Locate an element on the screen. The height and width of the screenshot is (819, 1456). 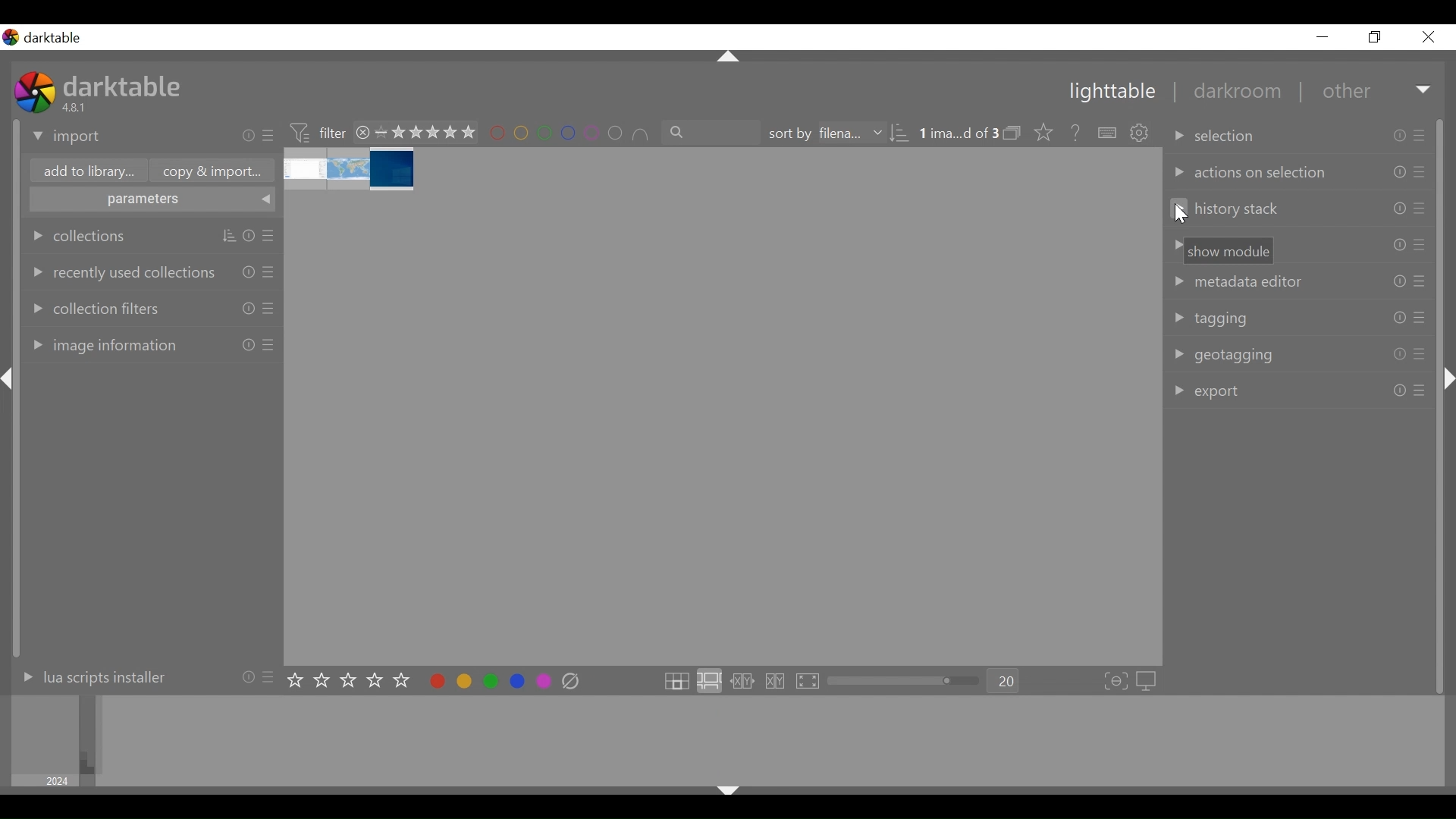
filter by color label is located at coordinates (570, 134).